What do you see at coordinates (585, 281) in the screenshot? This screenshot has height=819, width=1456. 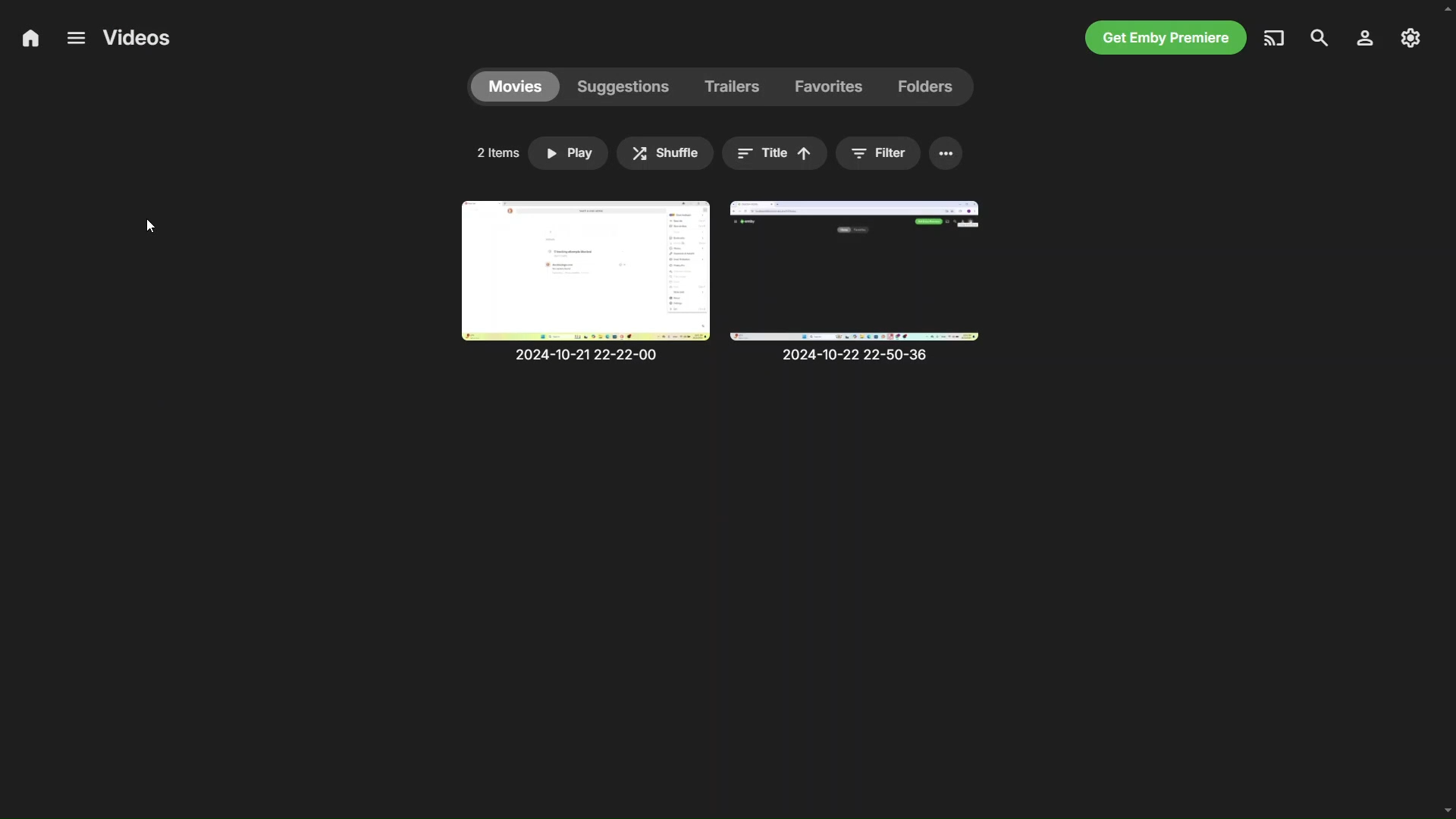 I see `video` at bounding box center [585, 281].